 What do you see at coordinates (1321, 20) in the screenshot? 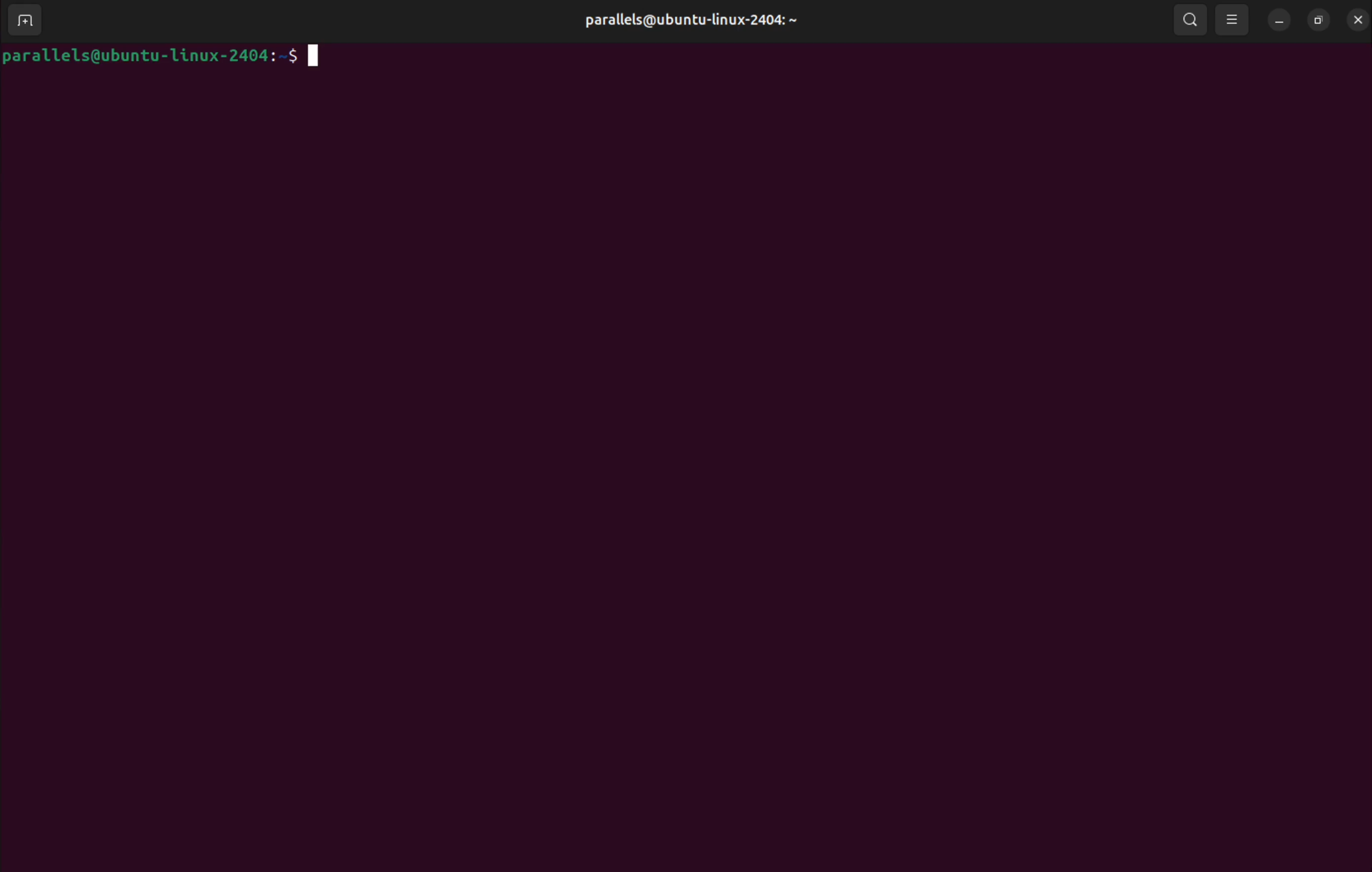
I see `resize` at bounding box center [1321, 20].